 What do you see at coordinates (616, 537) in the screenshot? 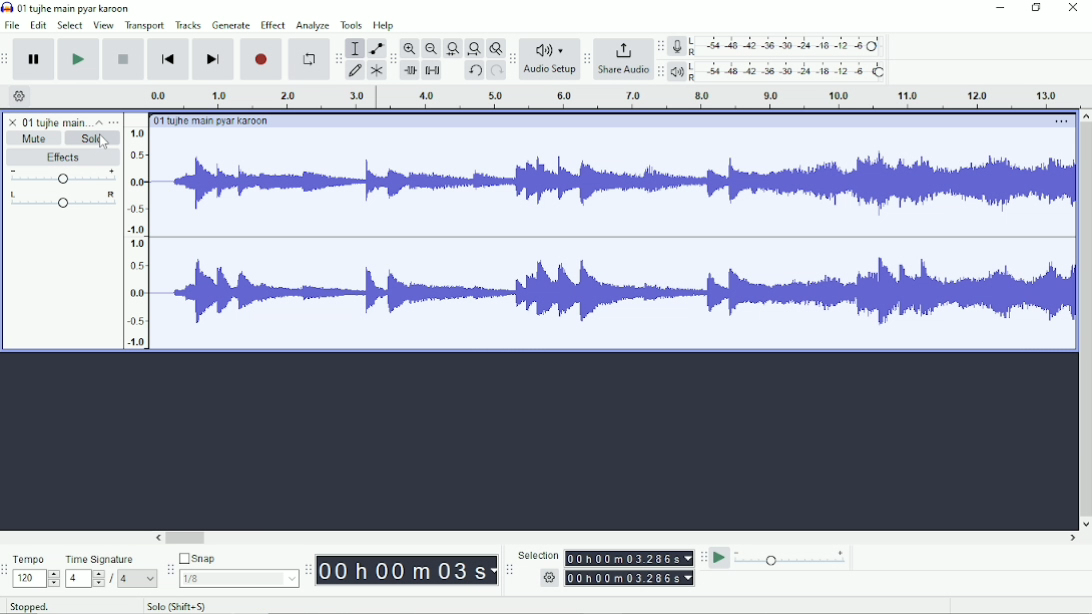
I see `Horizontal scrollbar` at bounding box center [616, 537].